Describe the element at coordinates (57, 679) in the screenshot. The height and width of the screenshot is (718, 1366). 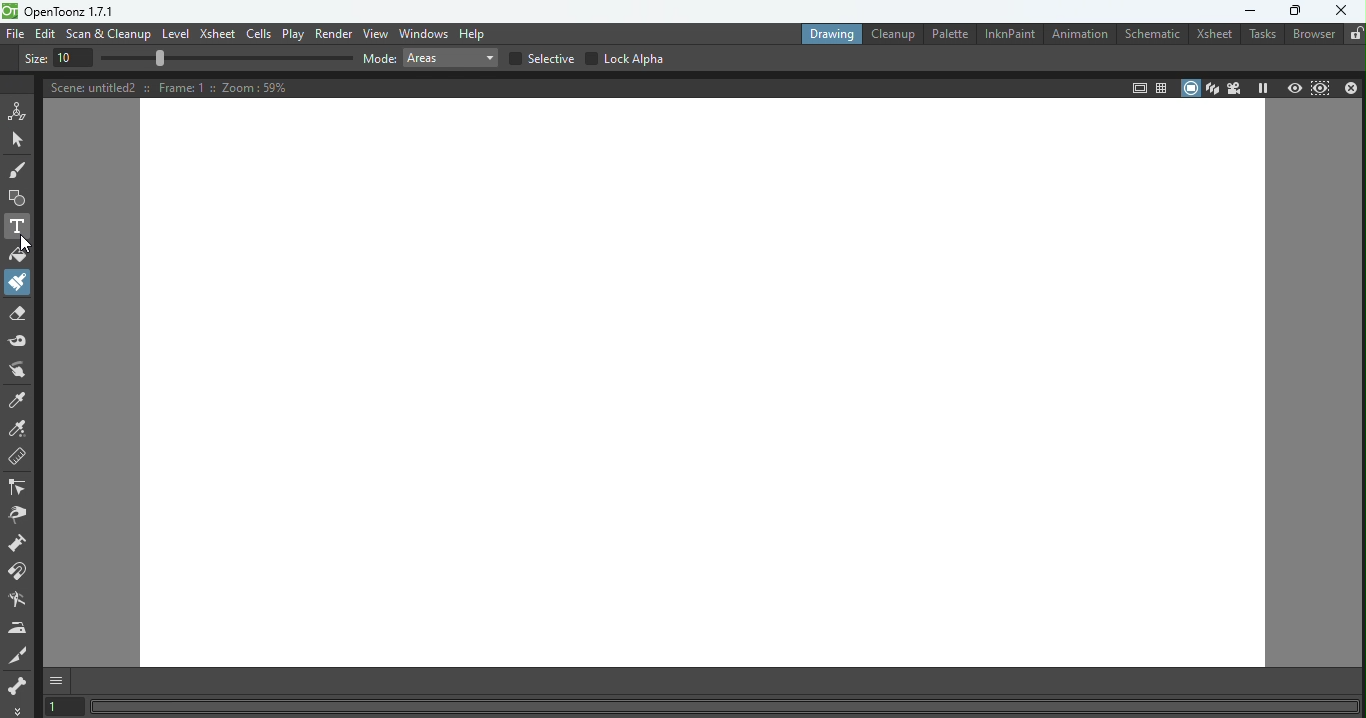
I see `GUI Show/hide` at that location.